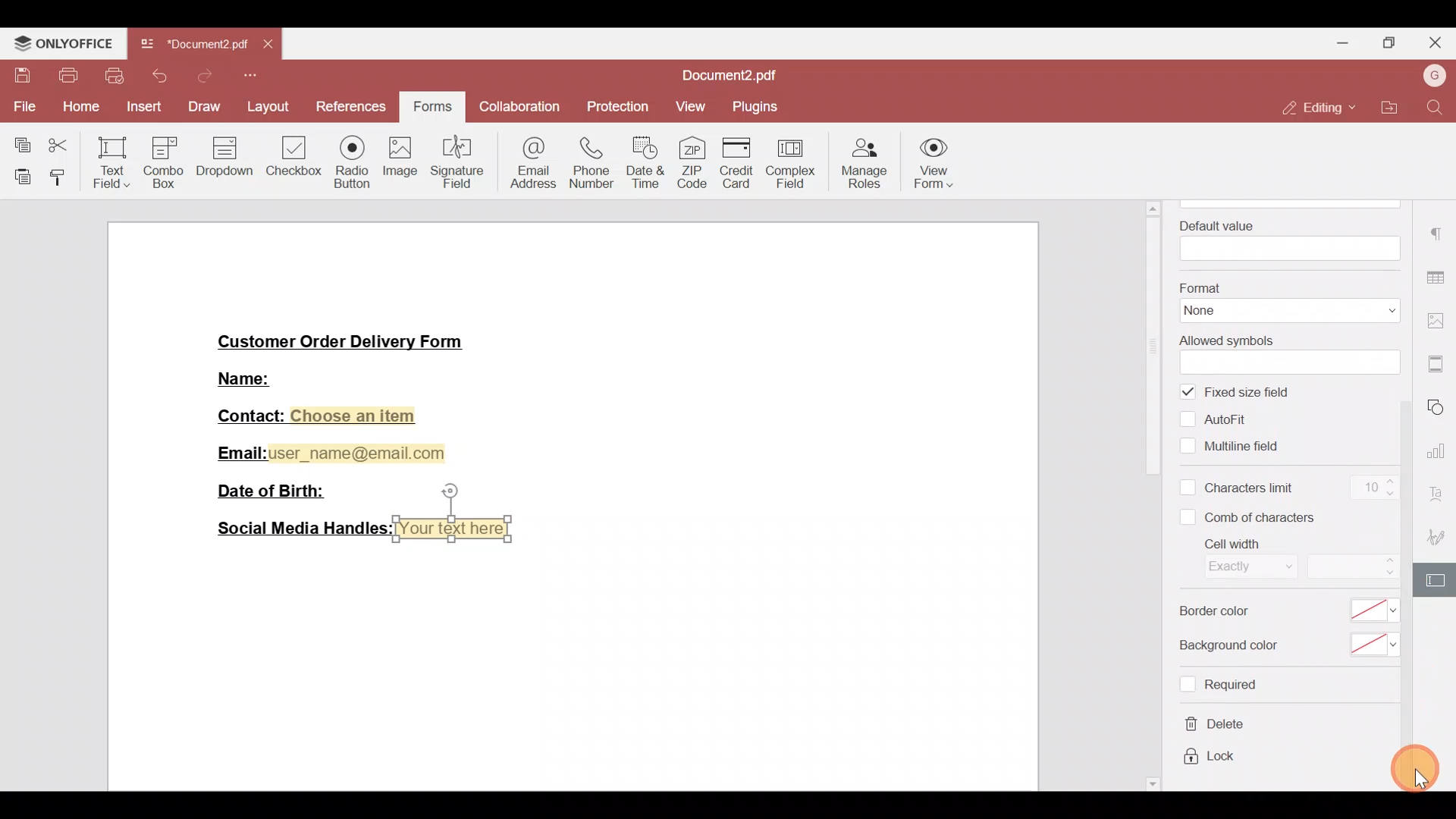 This screenshot has height=819, width=1456. I want to click on Close tab, so click(271, 47).